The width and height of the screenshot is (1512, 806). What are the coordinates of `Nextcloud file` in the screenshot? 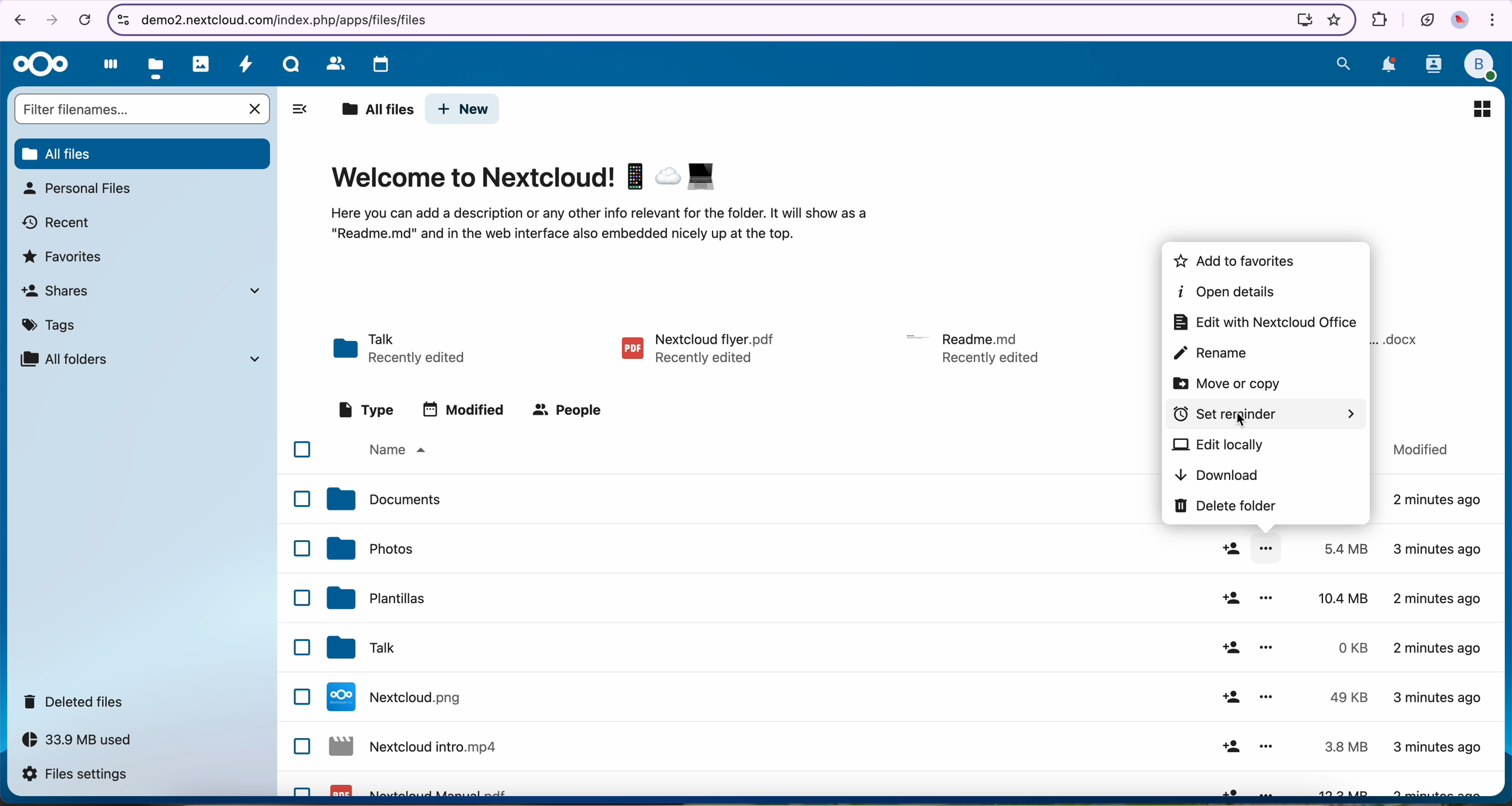 It's located at (417, 749).